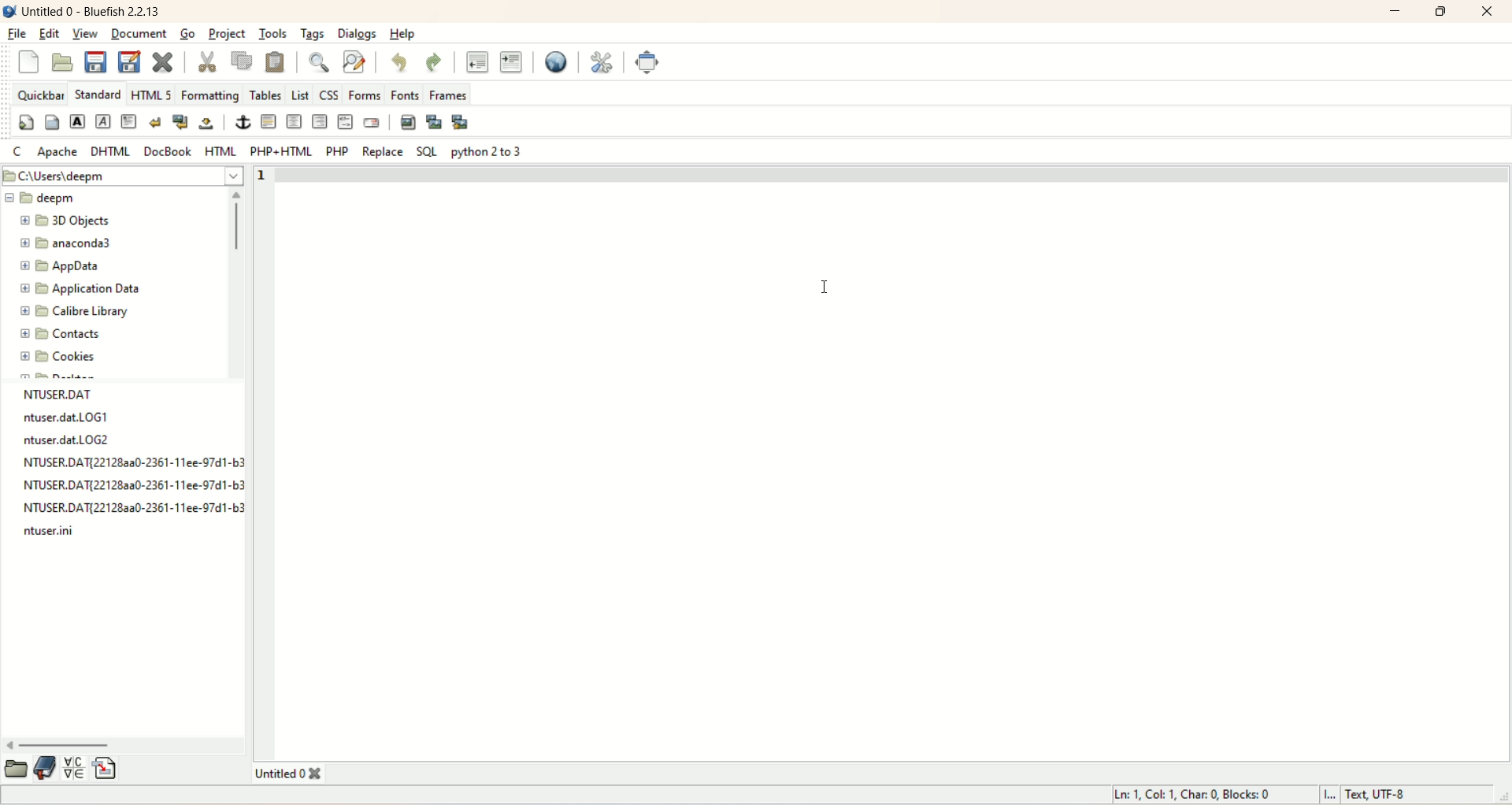 Image resolution: width=1512 pixels, height=805 pixels. Describe the element at coordinates (822, 287) in the screenshot. I see `Cursor` at that location.